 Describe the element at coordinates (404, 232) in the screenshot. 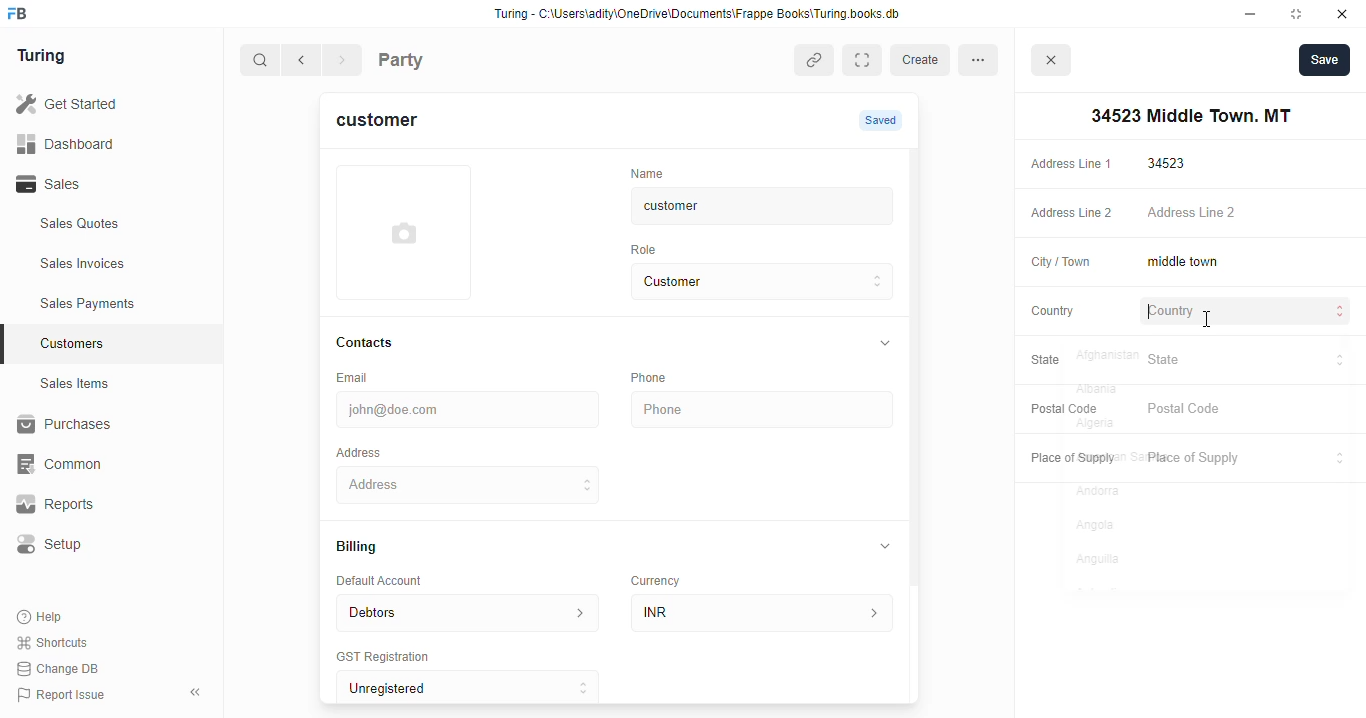

I see `add profile photo` at that location.